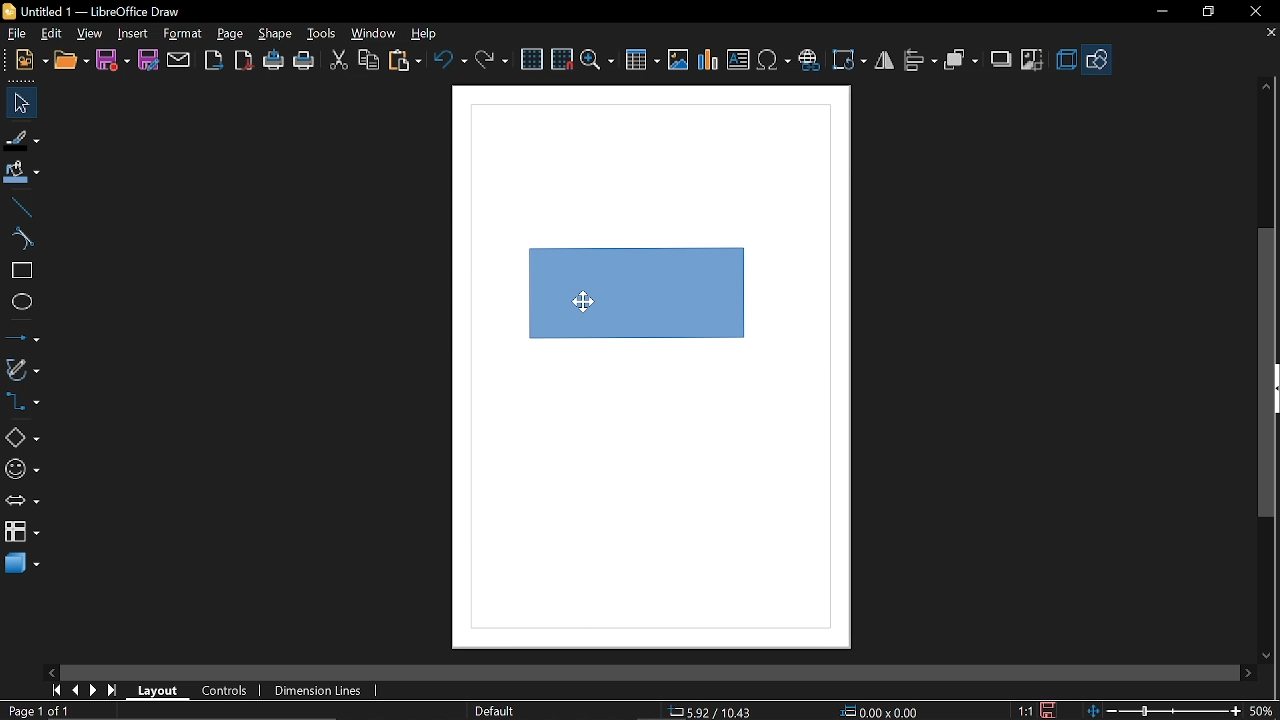 This screenshot has width=1280, height=720. What do you see at coordinates (20, 207) in the screenshot?
I see `Line` at bounding box center [20, 207].